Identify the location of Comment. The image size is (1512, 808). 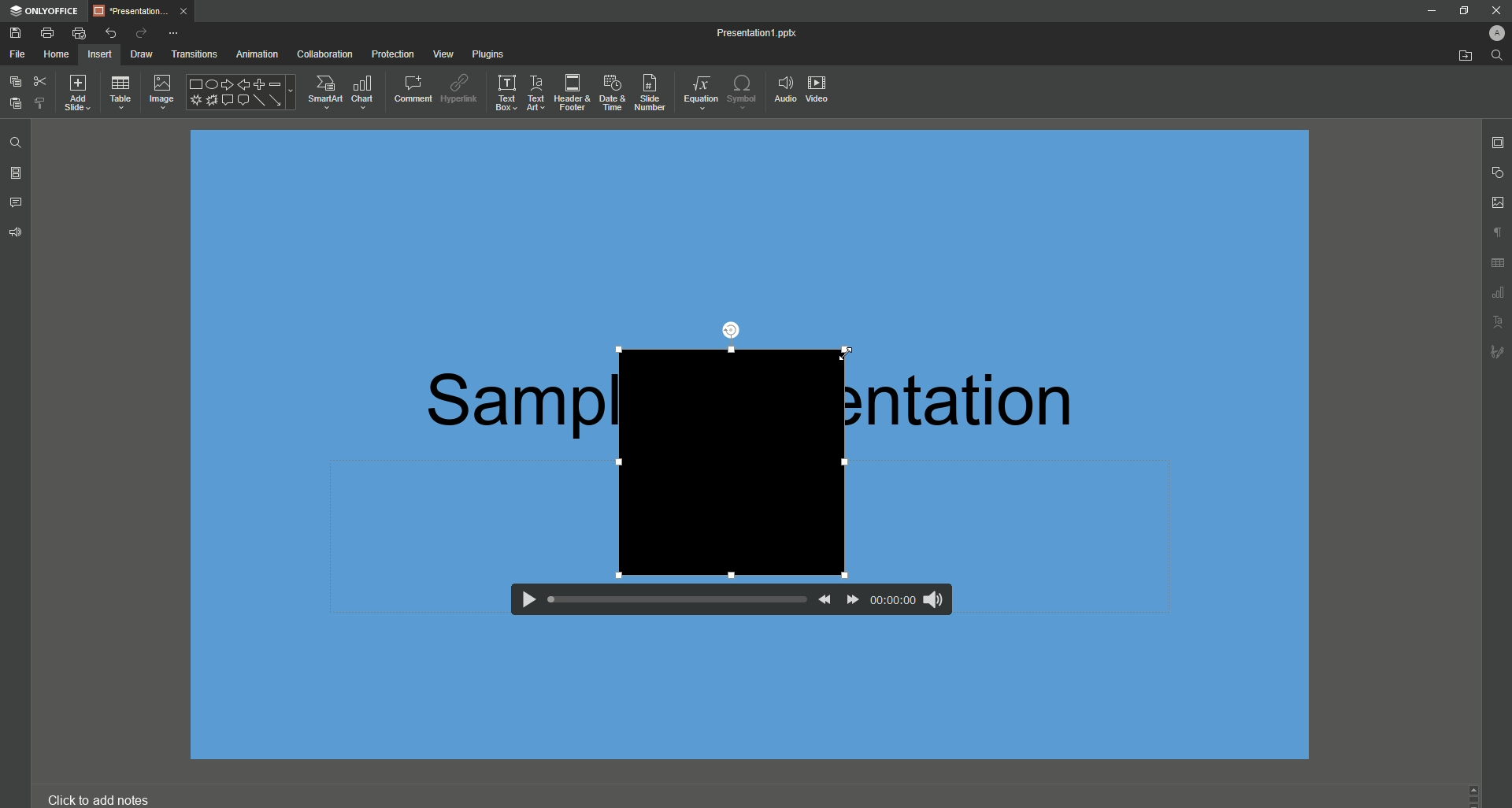
(413, 90).